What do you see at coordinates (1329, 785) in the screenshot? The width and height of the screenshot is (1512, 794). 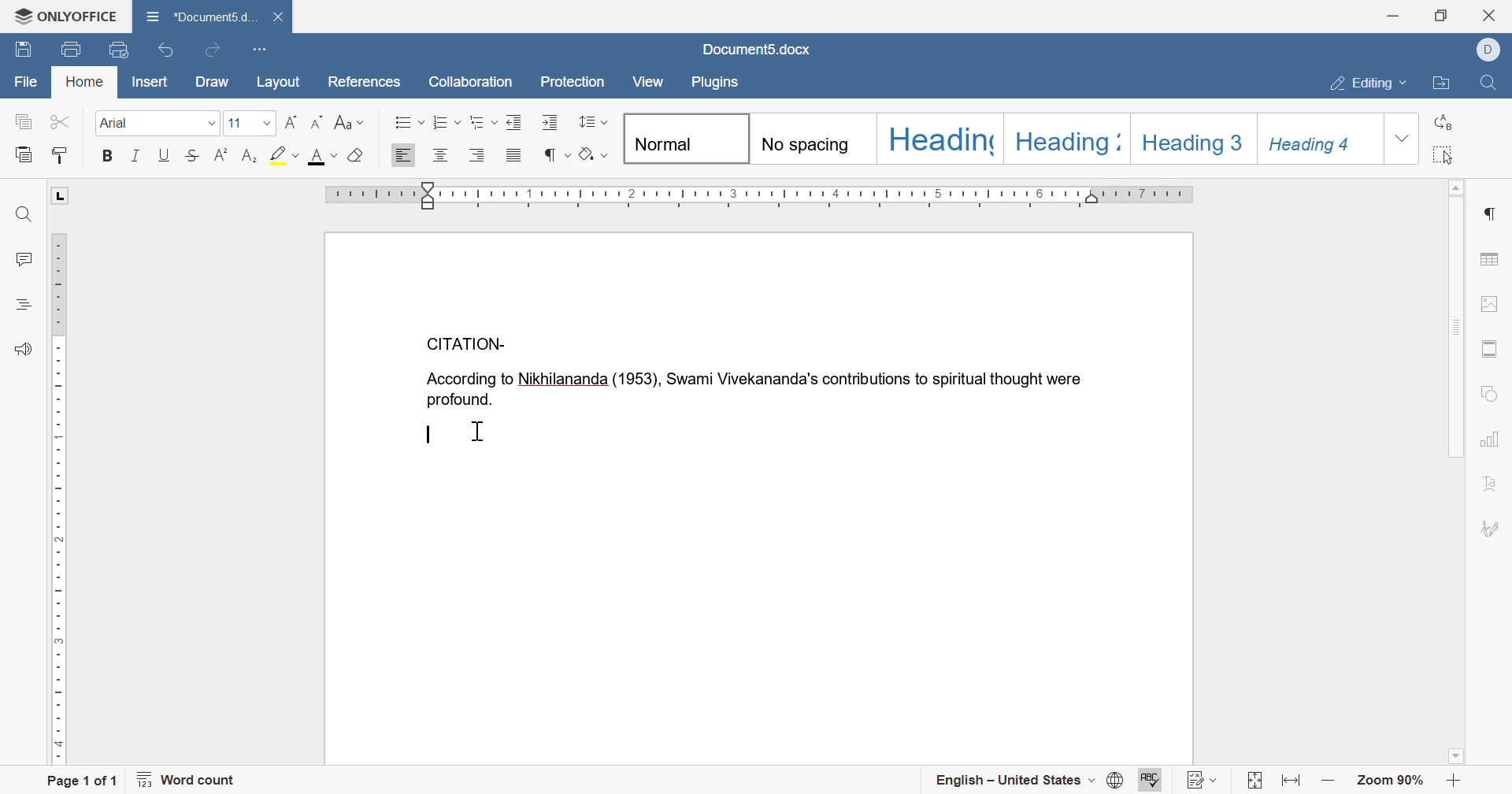 I see `zoom out` at bounding box center [1329, 785].